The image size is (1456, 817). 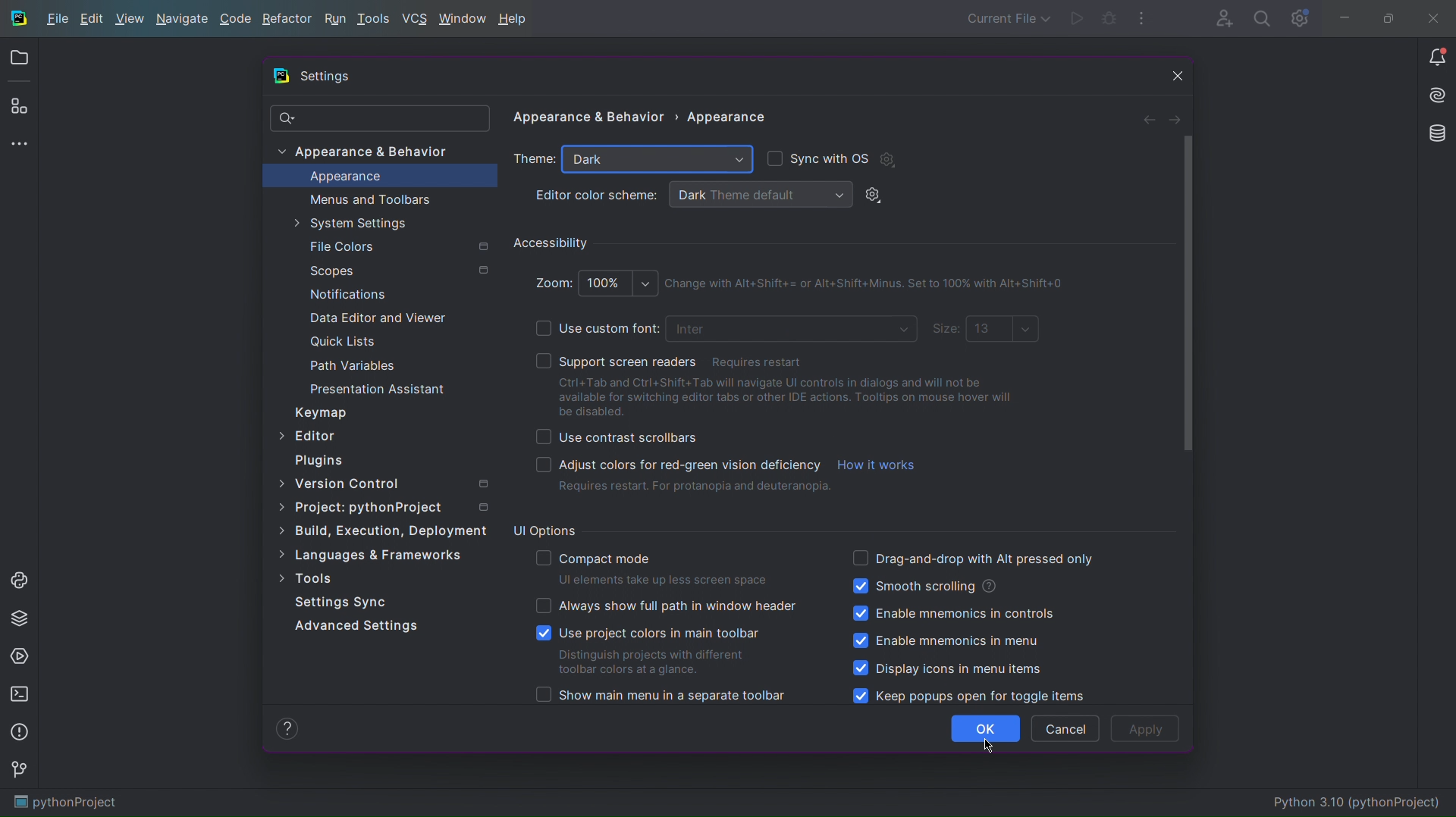 What do you see at coordinates (19, 694) in the screenshot?
I see `Terminal` at bounding box center [19, 694].